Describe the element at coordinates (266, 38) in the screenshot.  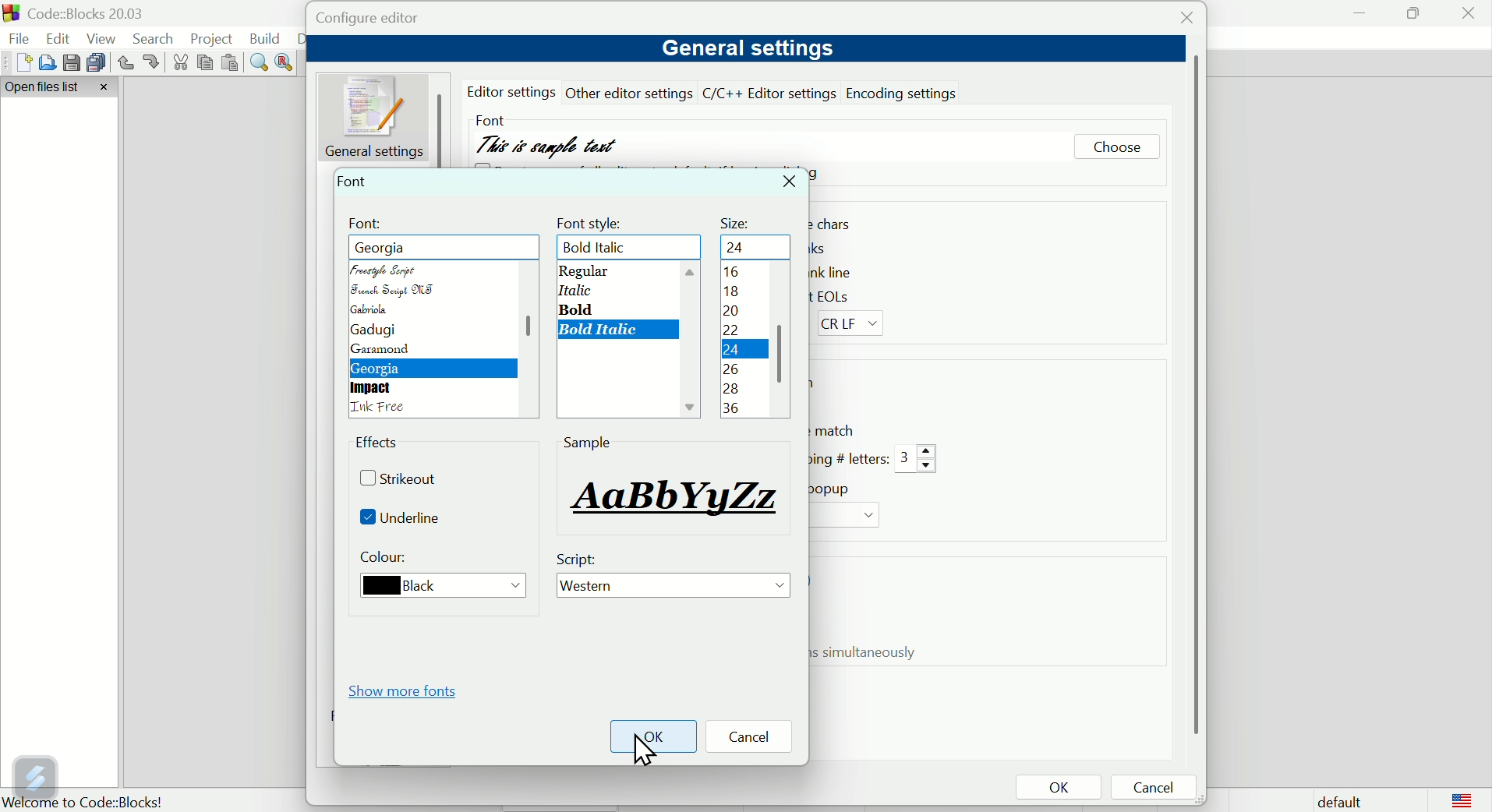
I see `Build` at that location.